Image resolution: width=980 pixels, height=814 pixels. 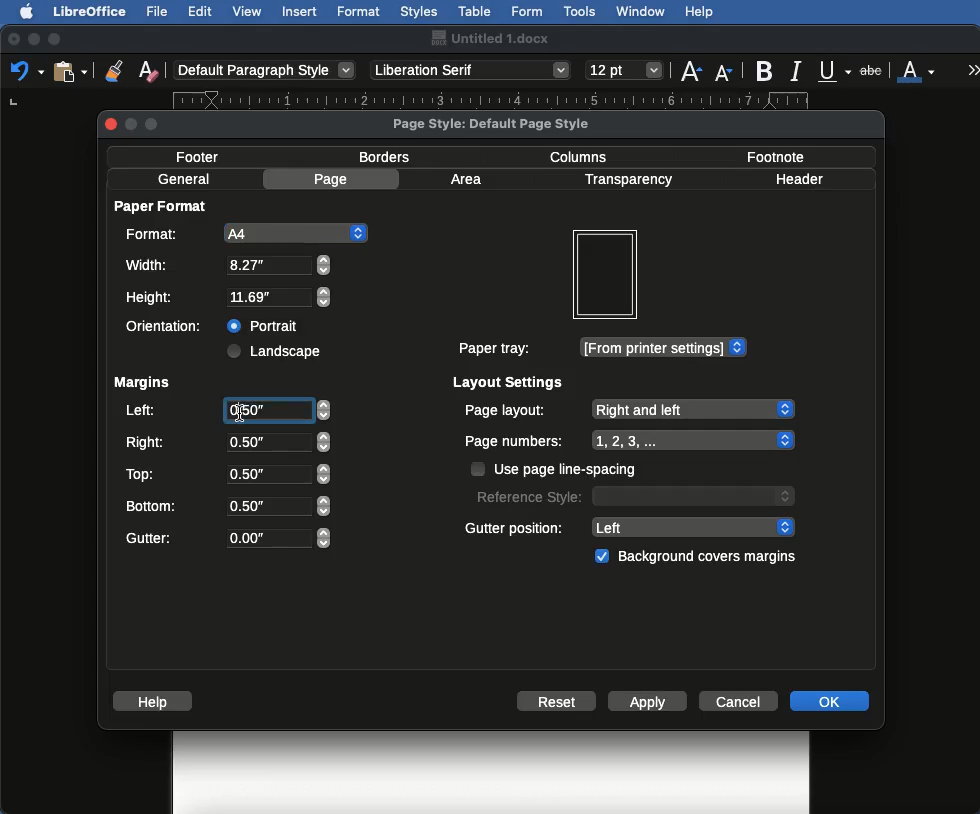 What do you see at coordinates (836, 72) in the screenshot?
I see `Underline` at bounding box center [836, 72].